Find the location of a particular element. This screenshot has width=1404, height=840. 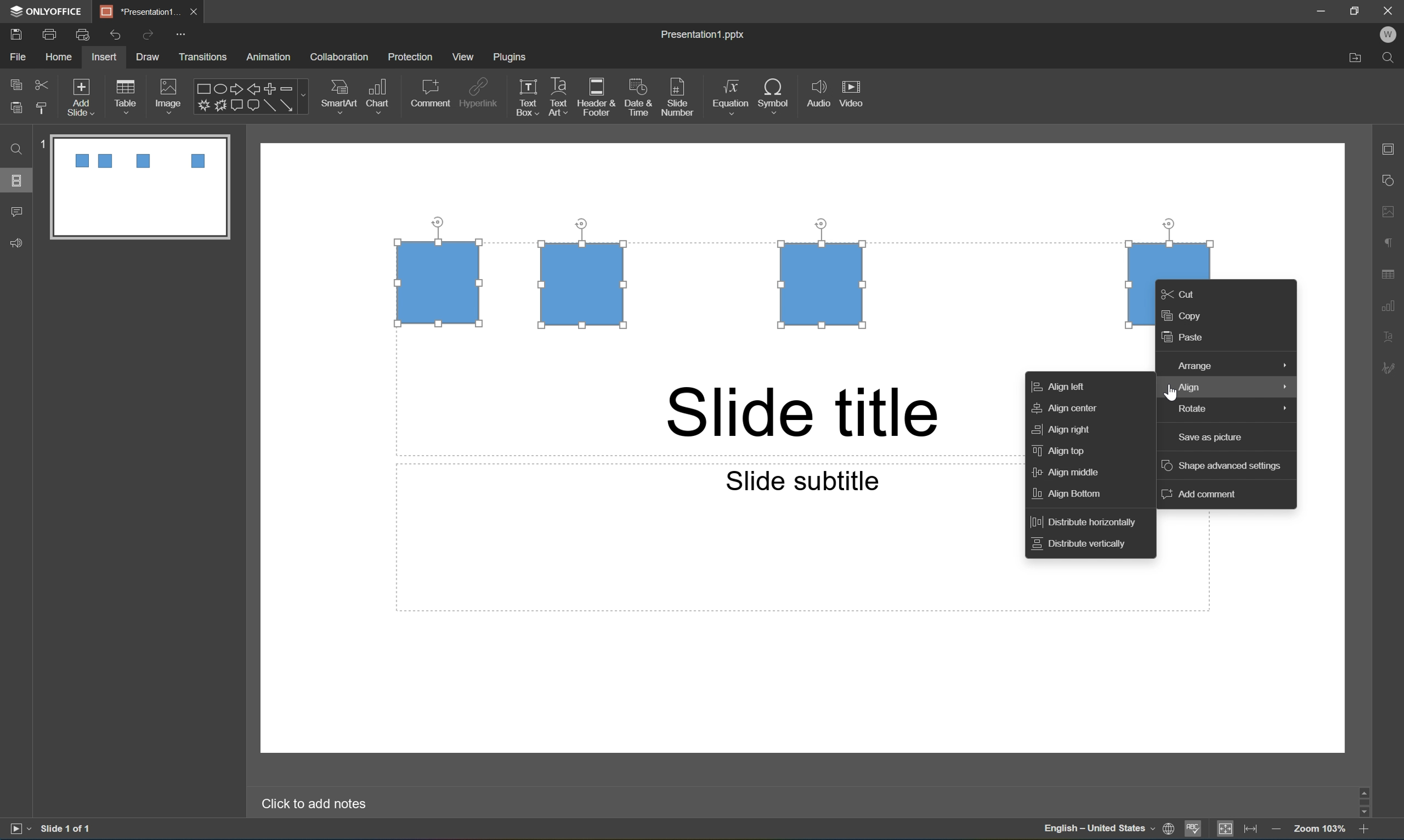

insert is located at coordinates (105, 57).